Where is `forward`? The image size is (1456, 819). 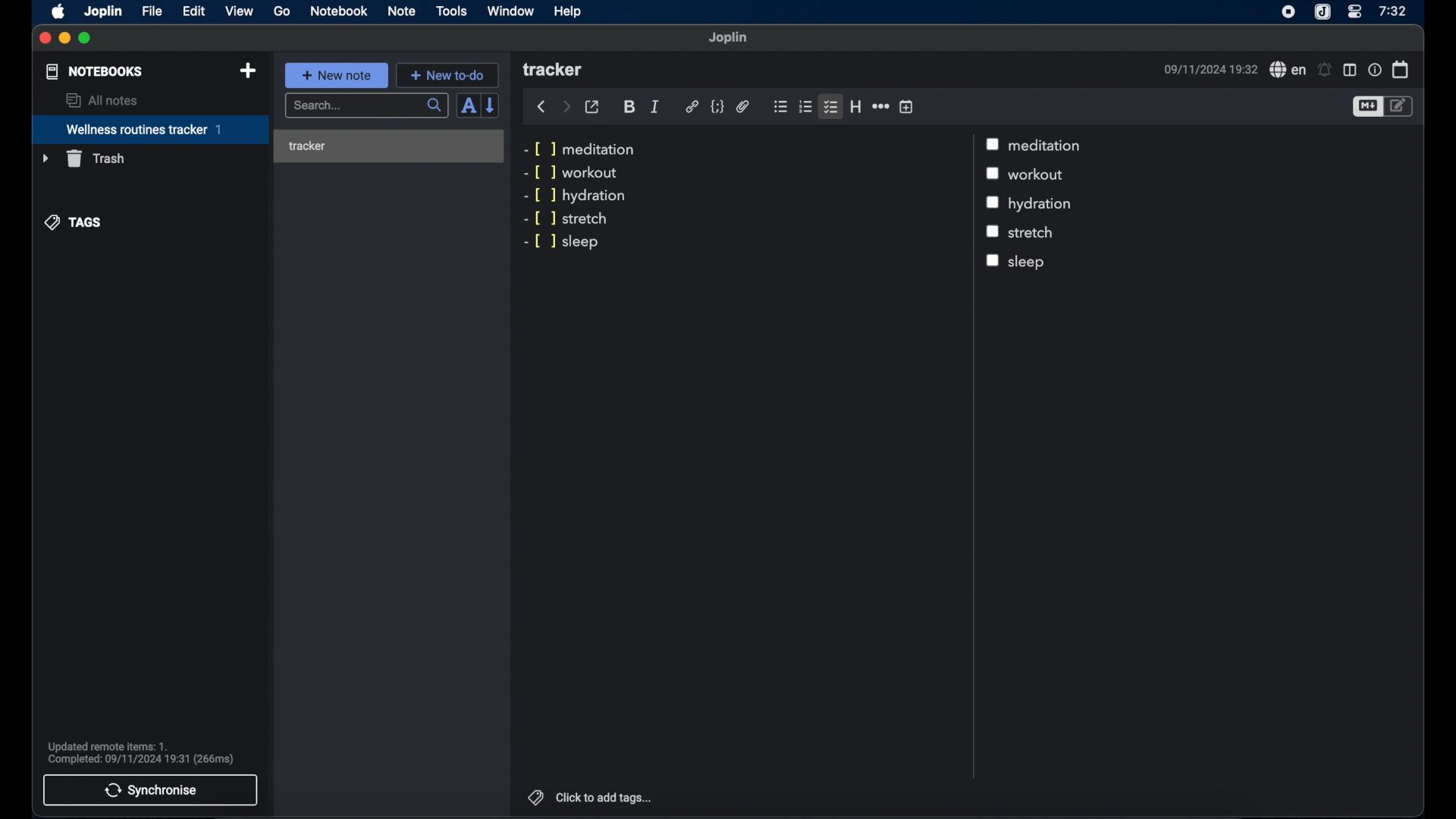
forward is located at coordinates (566, 106).